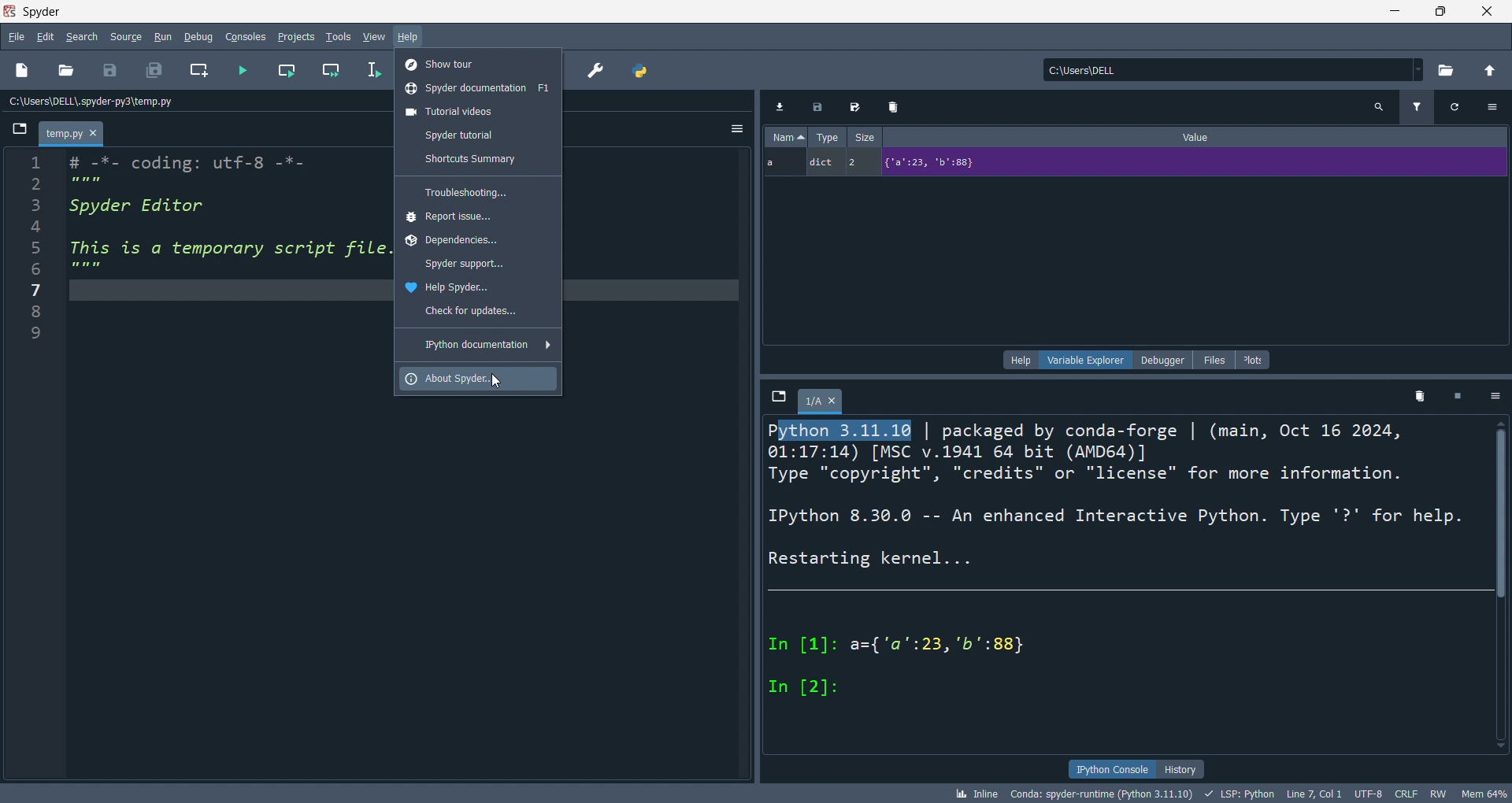 This screenshot has height=803, width=1512. What do you see at coordinates (1492, 107) in the screenshot?
I see `Settings` at bounding box center [1492, 107].